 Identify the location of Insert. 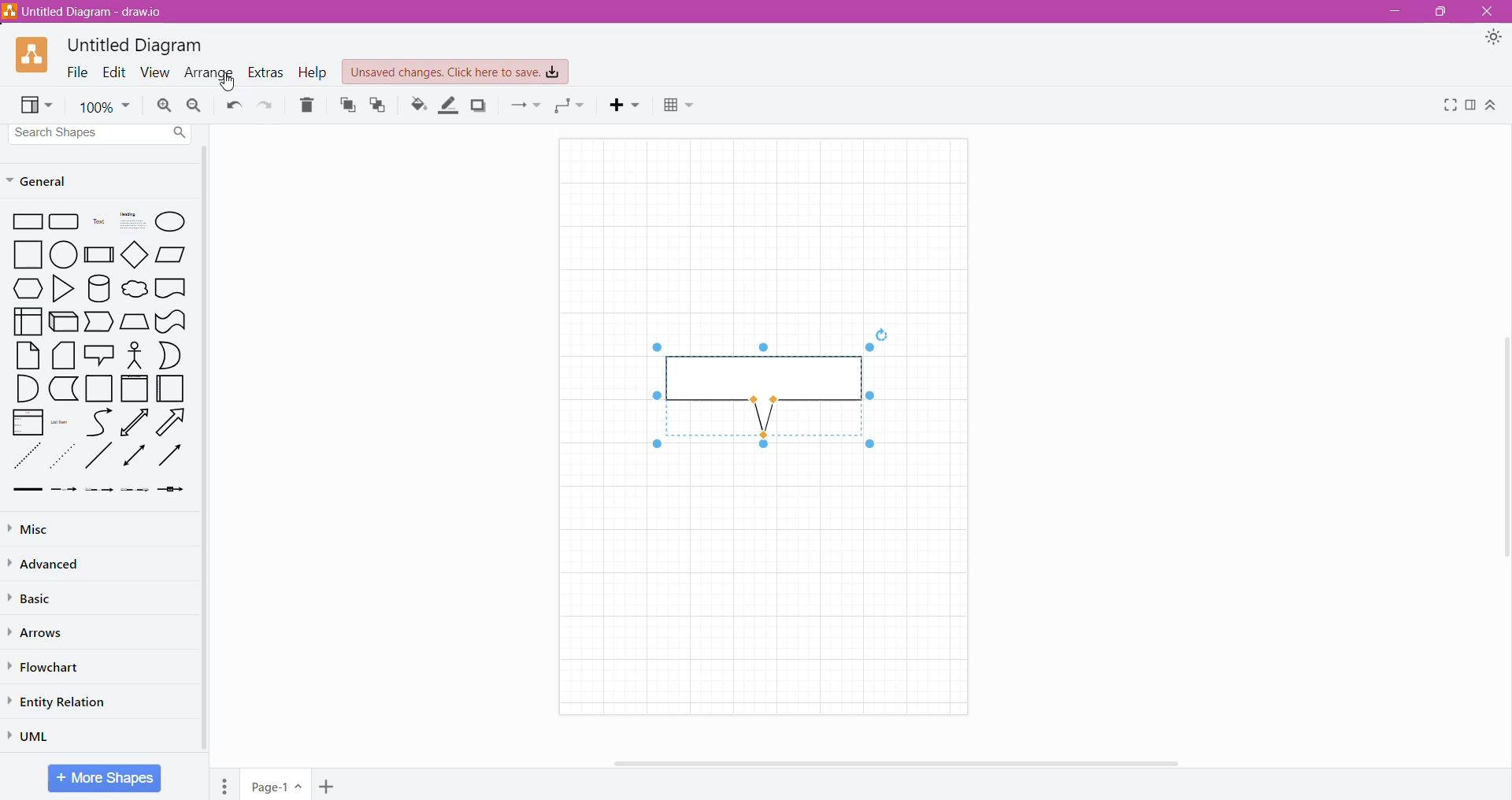
(626, 106).